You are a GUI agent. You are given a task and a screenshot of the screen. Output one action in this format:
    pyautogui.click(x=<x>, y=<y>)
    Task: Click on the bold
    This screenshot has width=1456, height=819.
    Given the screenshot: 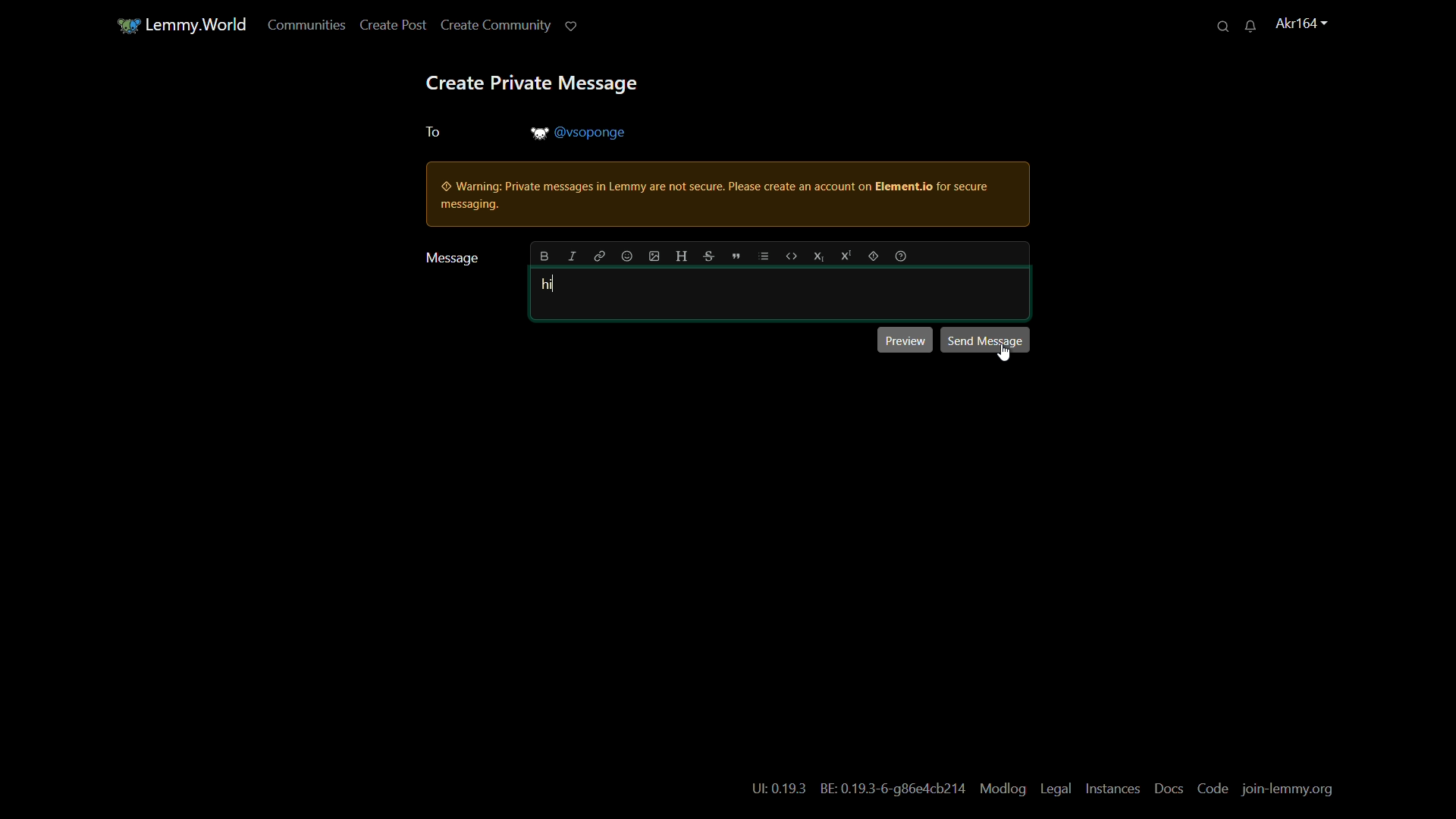 What is the action you would take?
    pyautogui.click(x=544, y=257)
    